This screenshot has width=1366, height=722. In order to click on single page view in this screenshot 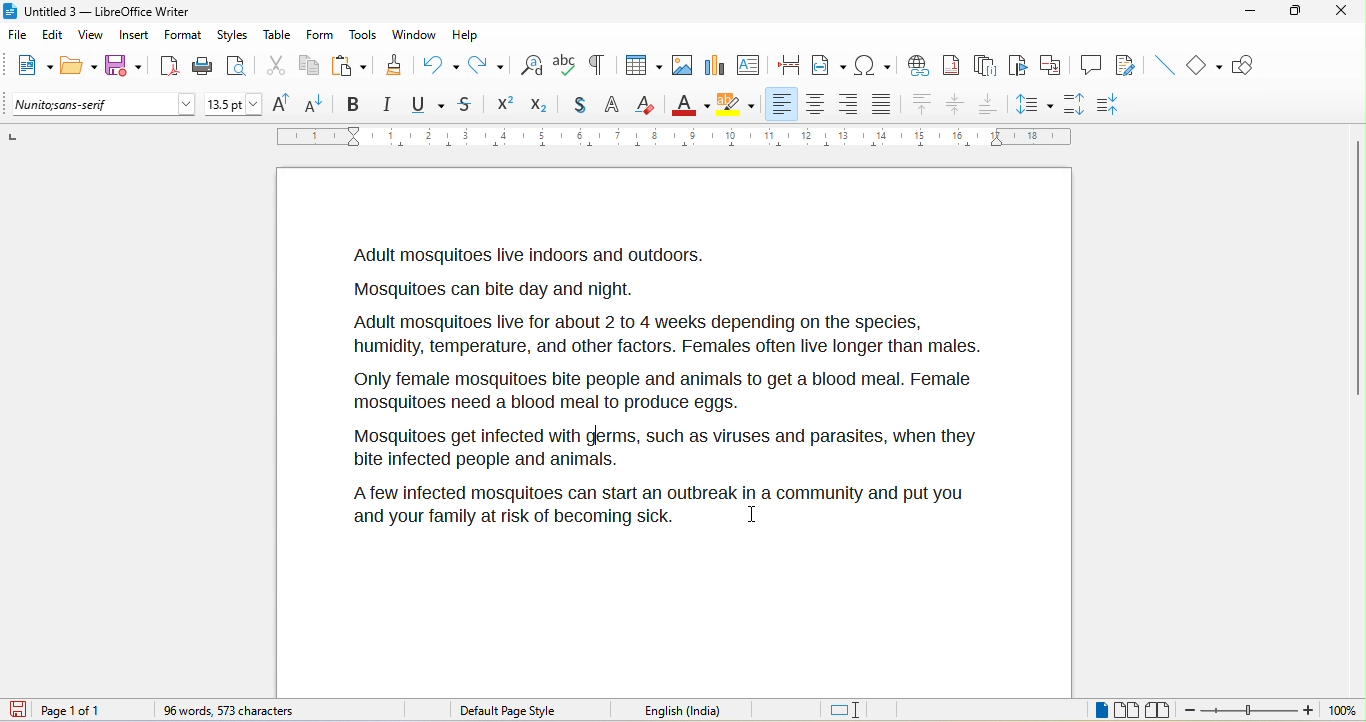, I will do `click(1084, 711)`.